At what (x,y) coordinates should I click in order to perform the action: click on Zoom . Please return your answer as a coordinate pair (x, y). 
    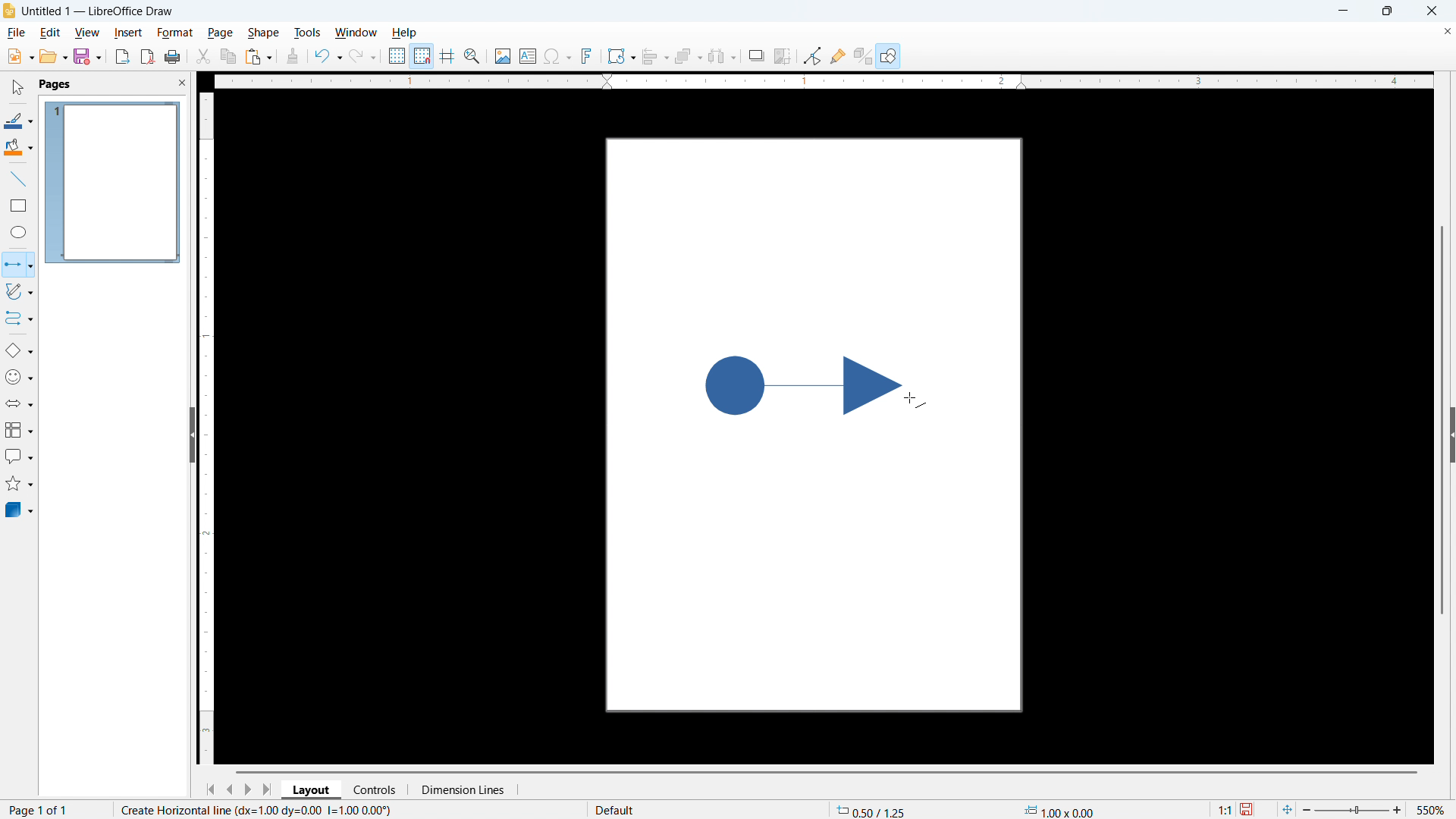
    Looking at the image, I should click on (472, 56).